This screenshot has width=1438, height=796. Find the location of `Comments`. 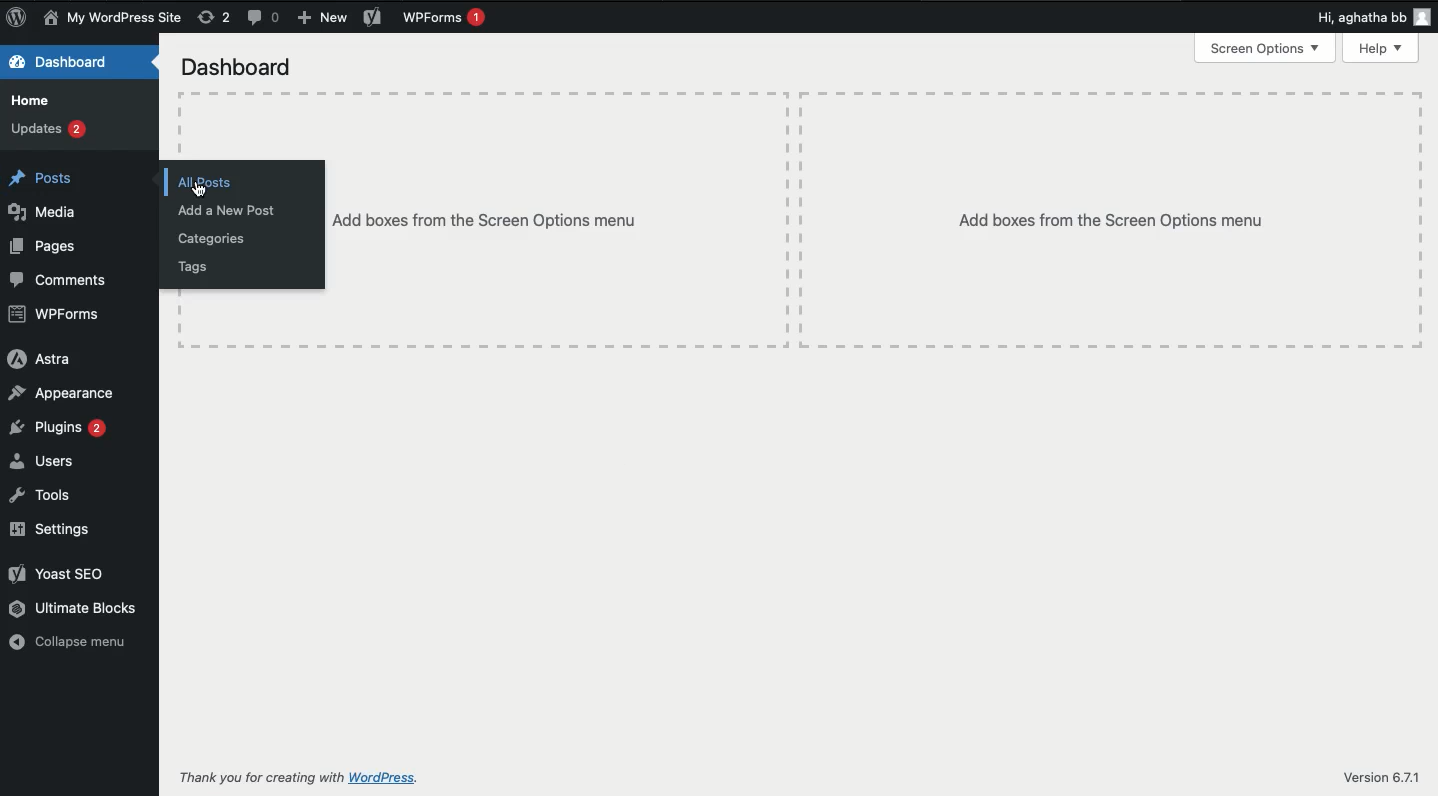

Comments is located at coordinates (59, 280).